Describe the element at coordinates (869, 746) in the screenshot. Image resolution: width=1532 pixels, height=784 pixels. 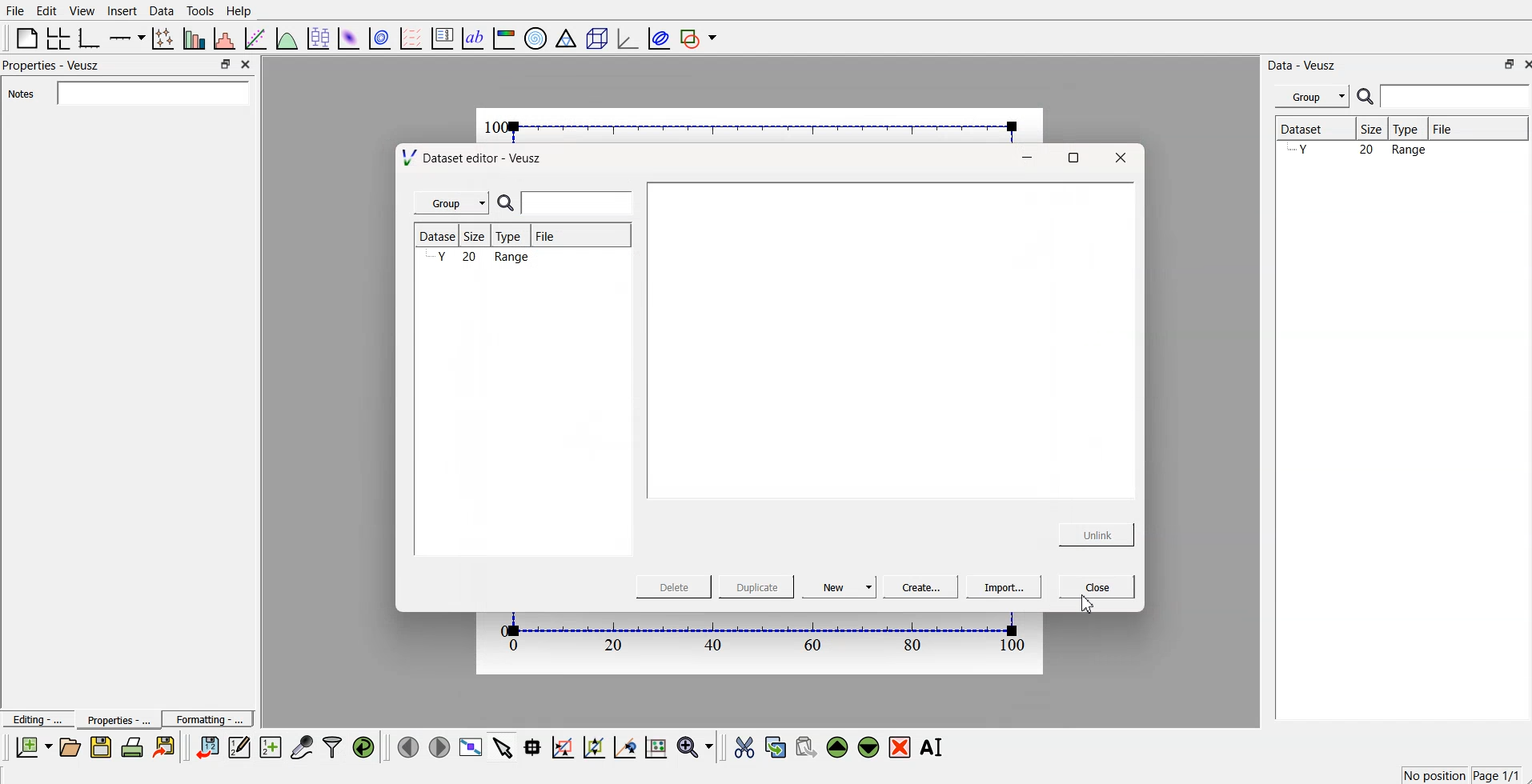
I see `move down` at that location.